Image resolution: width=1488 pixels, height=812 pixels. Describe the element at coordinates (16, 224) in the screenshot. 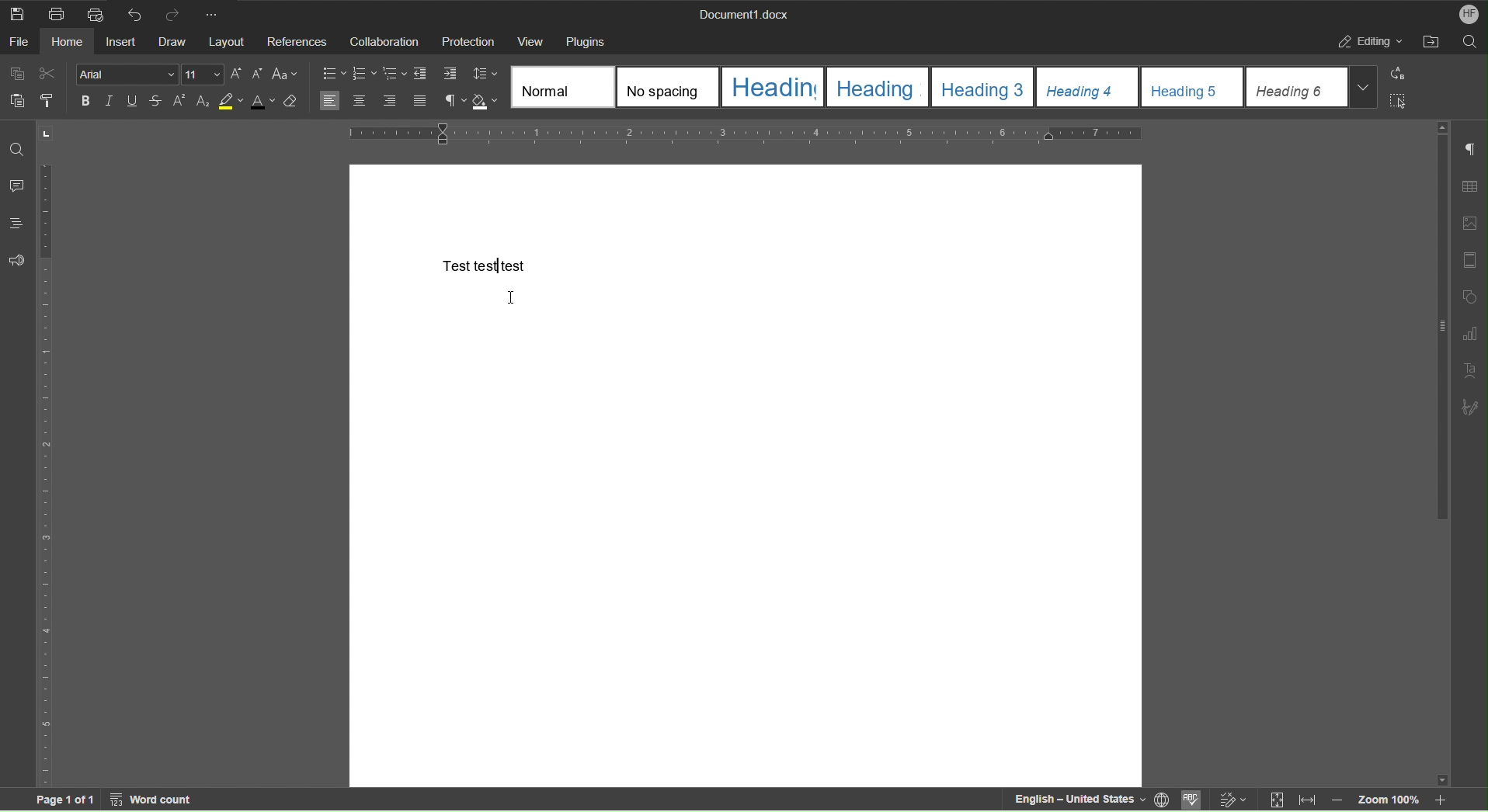

I see `Headings` at that location.